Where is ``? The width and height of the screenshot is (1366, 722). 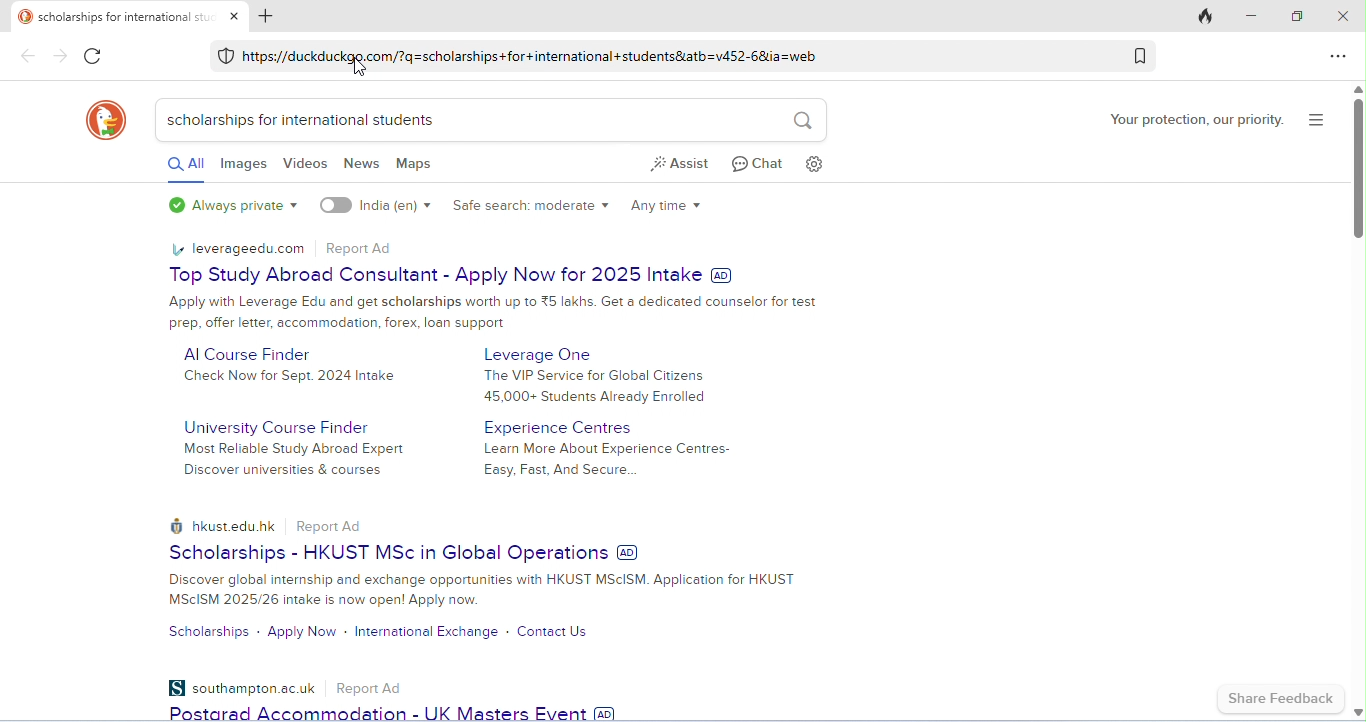
 is located at coordinates (359, 68).